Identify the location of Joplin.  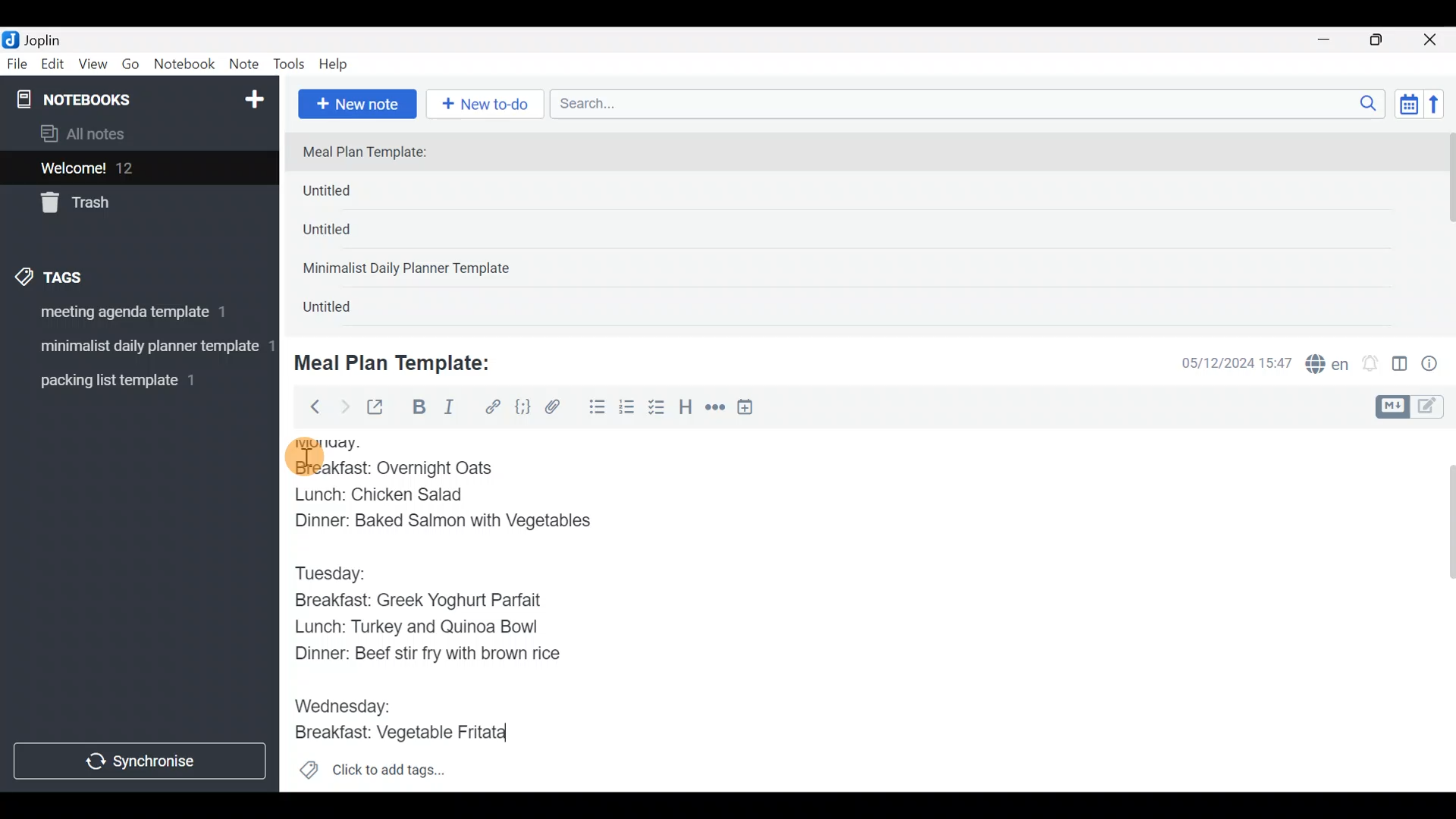
(52, 38).